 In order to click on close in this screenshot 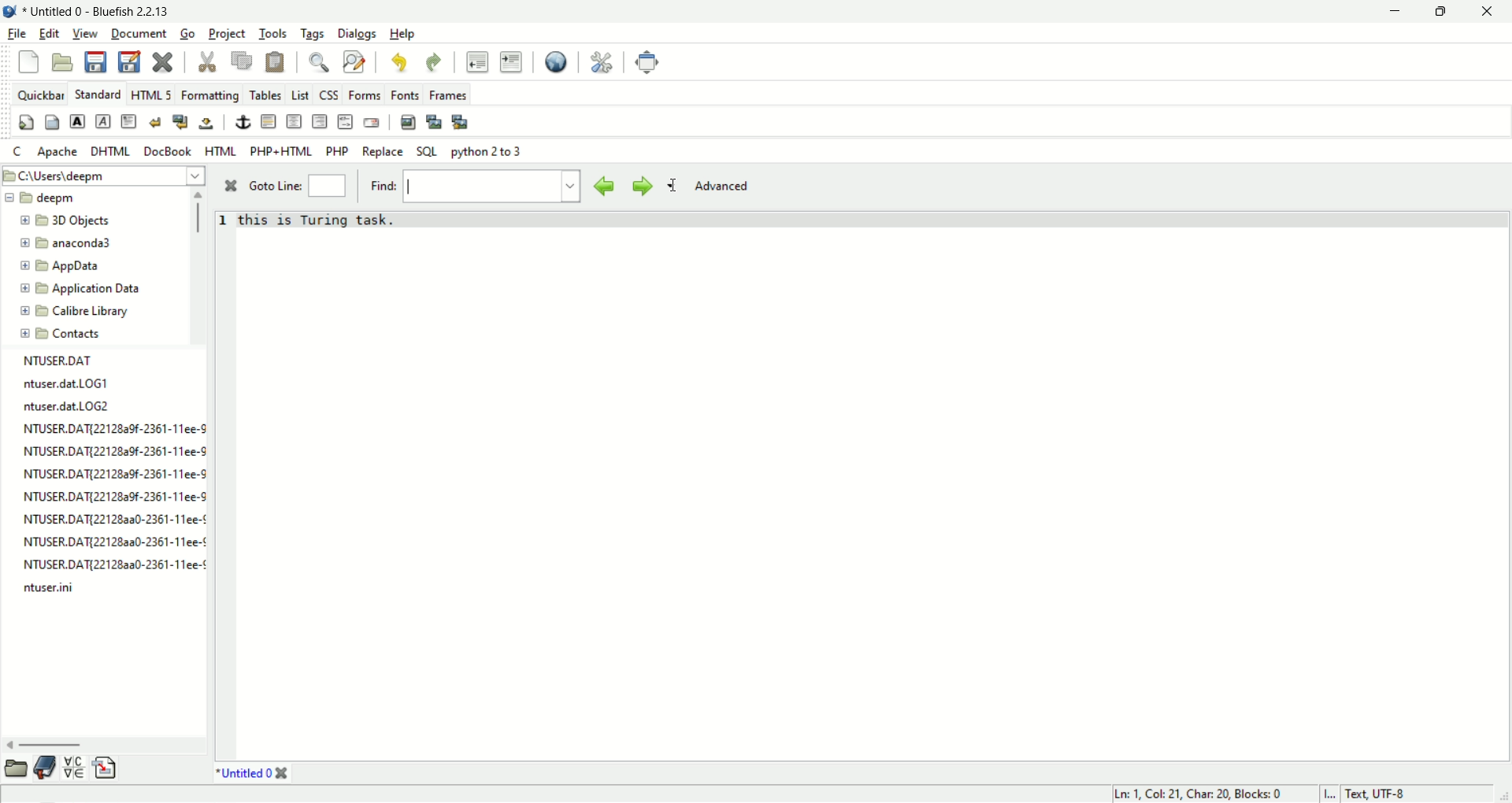, I will do `click(165, 64)`.